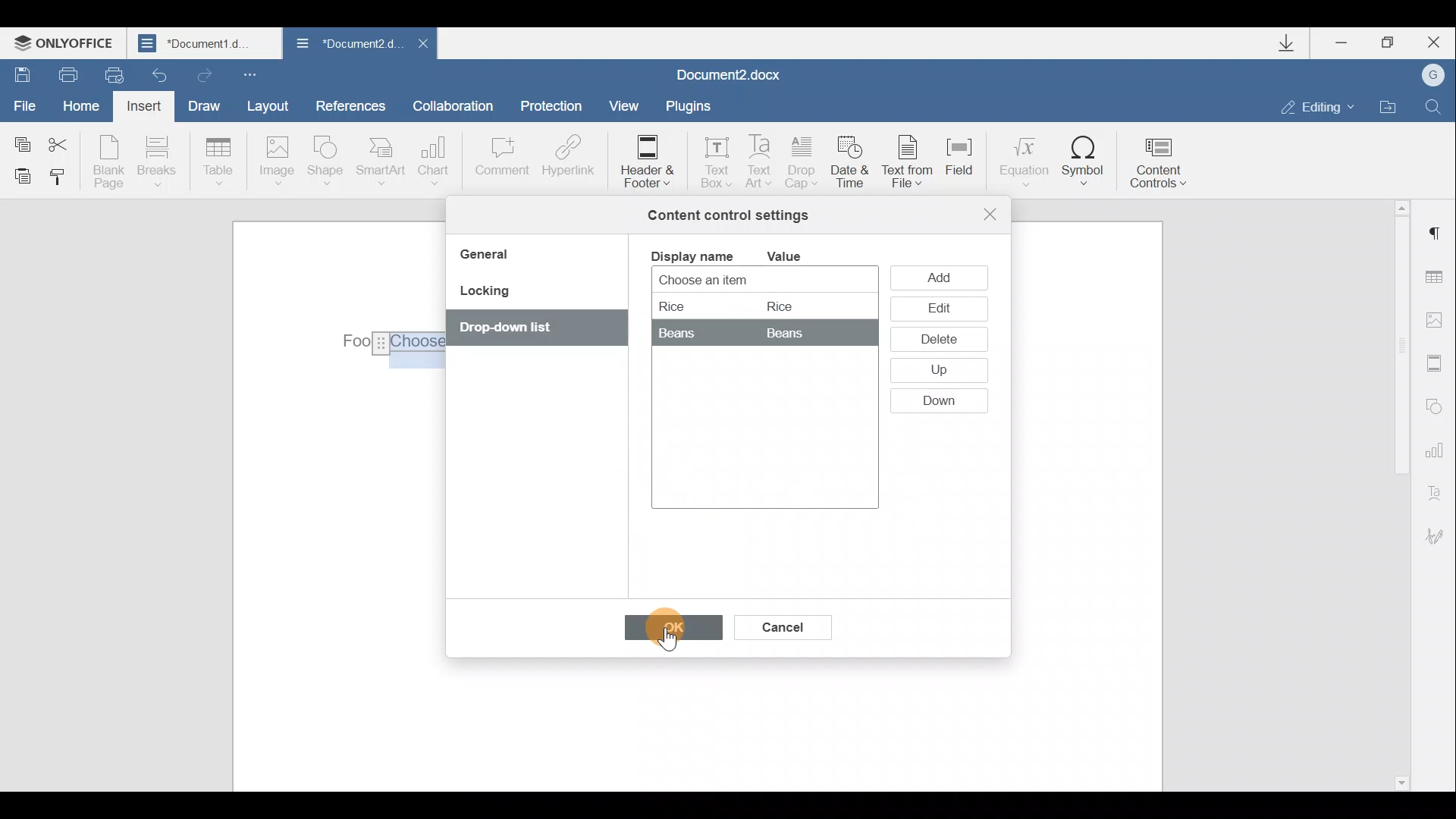  What do you see at coordinates (737, 305) in the screenshot?
I see `rice` at bounding box center [737, 305].